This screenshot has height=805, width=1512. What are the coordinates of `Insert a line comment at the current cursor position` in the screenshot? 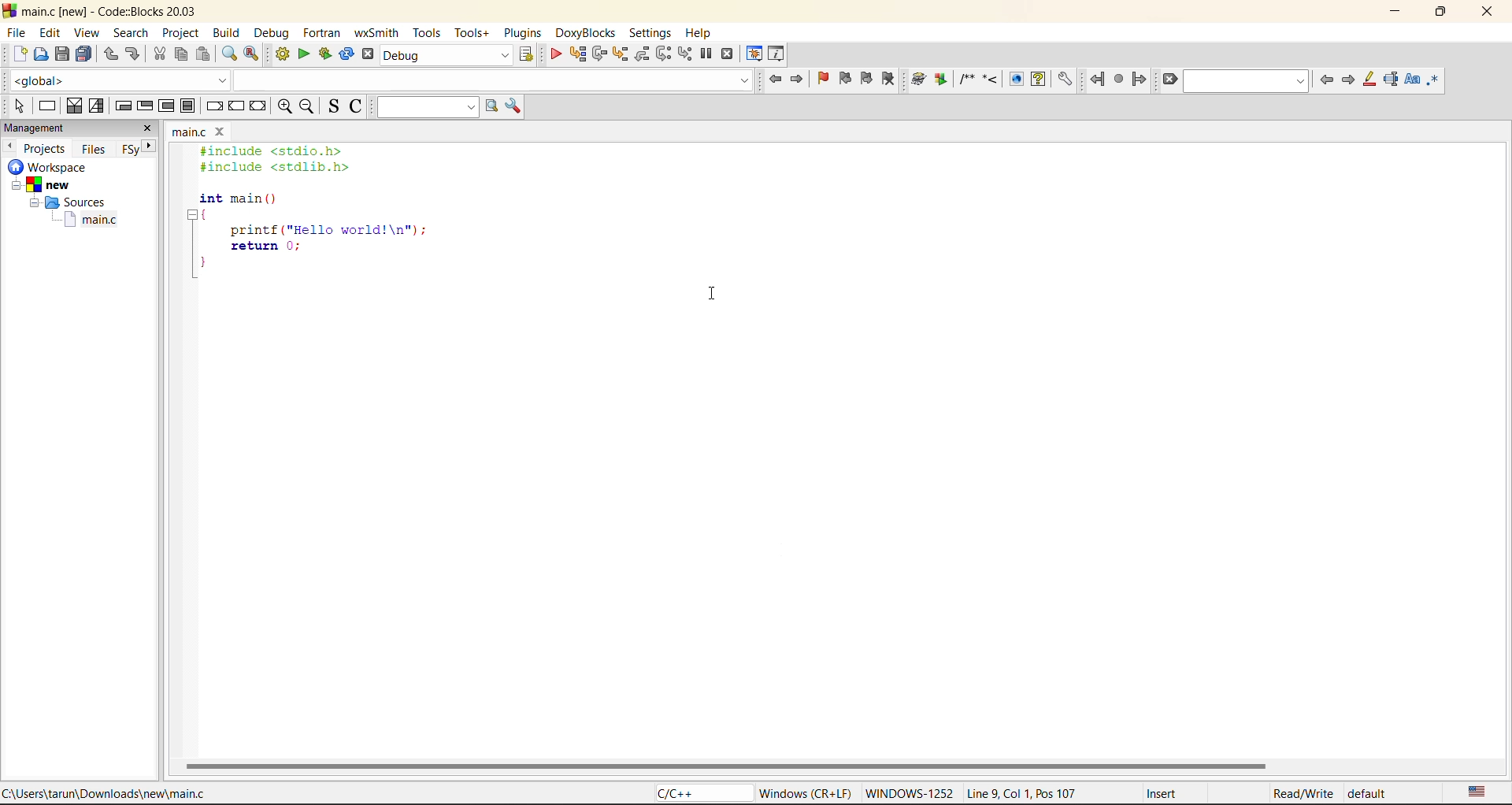 It's located at (990, 79).